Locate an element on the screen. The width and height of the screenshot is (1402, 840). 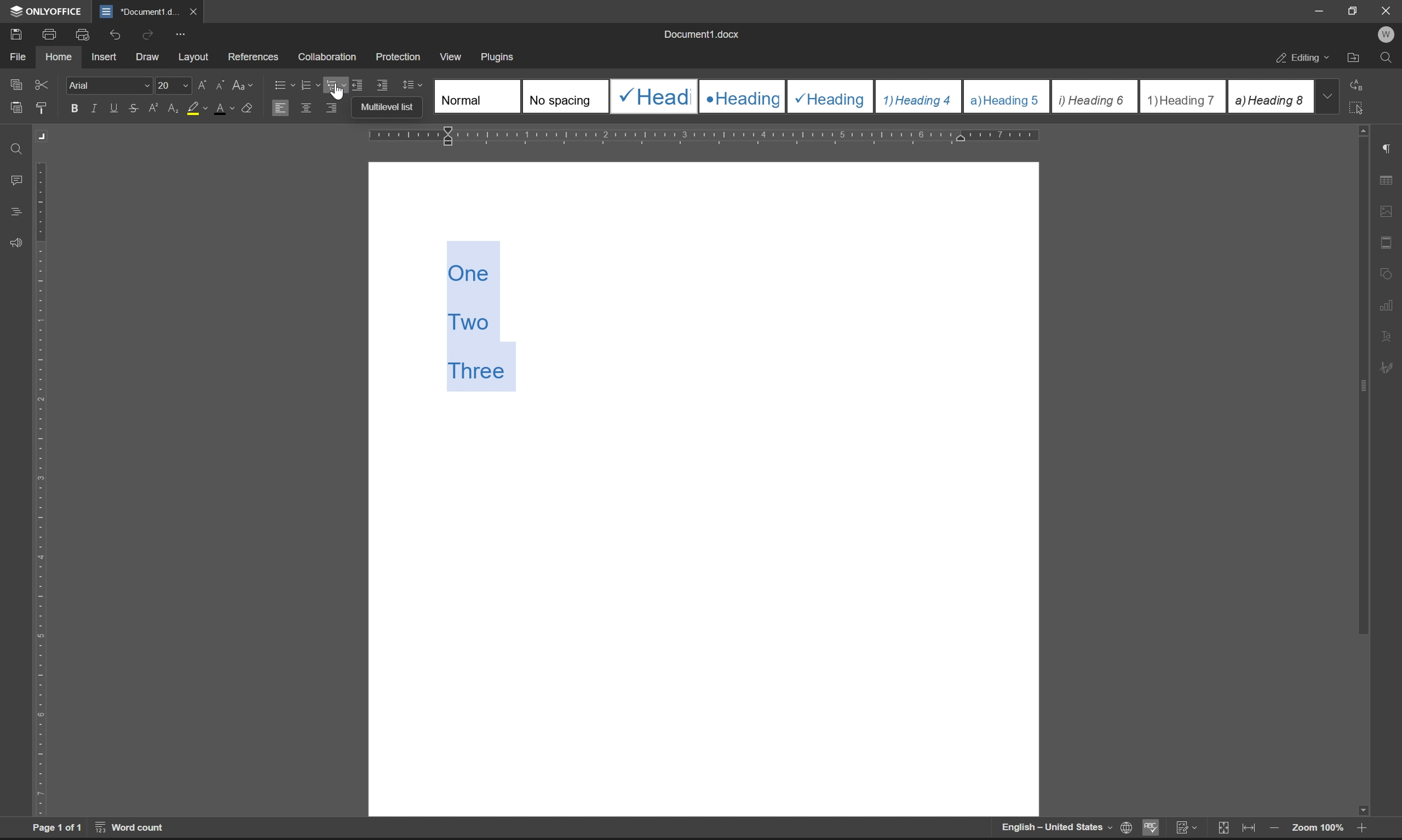
caopy is located at coordinates (14, 87).